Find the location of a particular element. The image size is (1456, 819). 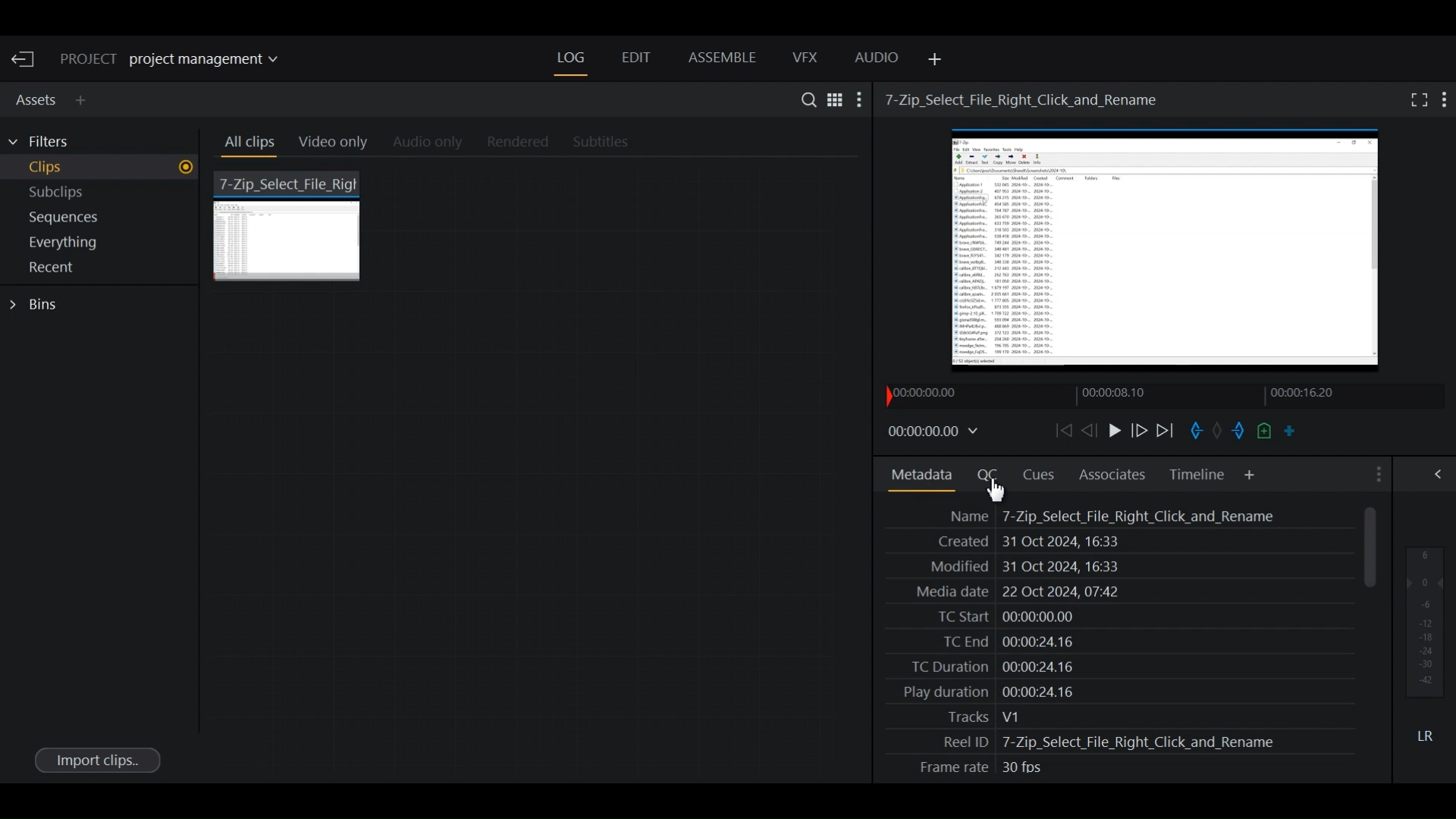

Add Panel is located at coordinates (932, 60).